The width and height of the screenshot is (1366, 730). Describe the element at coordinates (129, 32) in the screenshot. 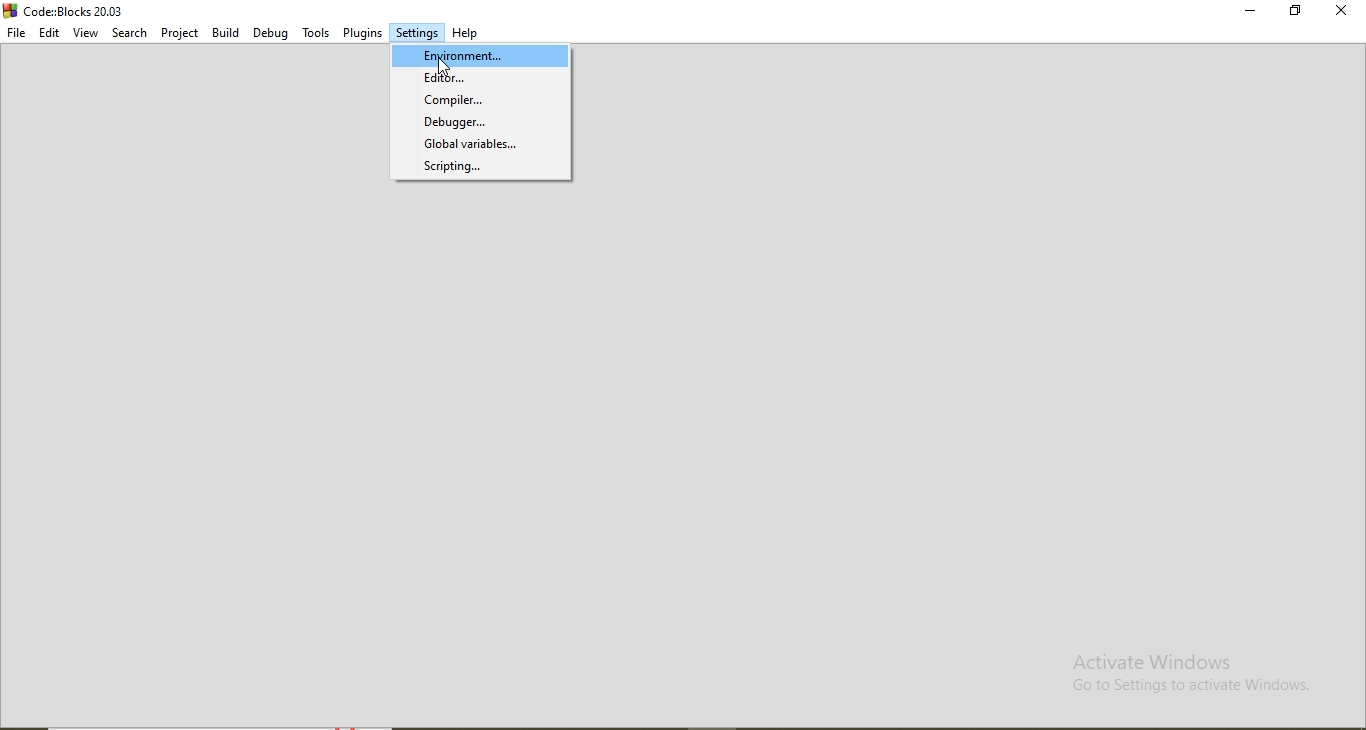

I see `Search ` at that location.